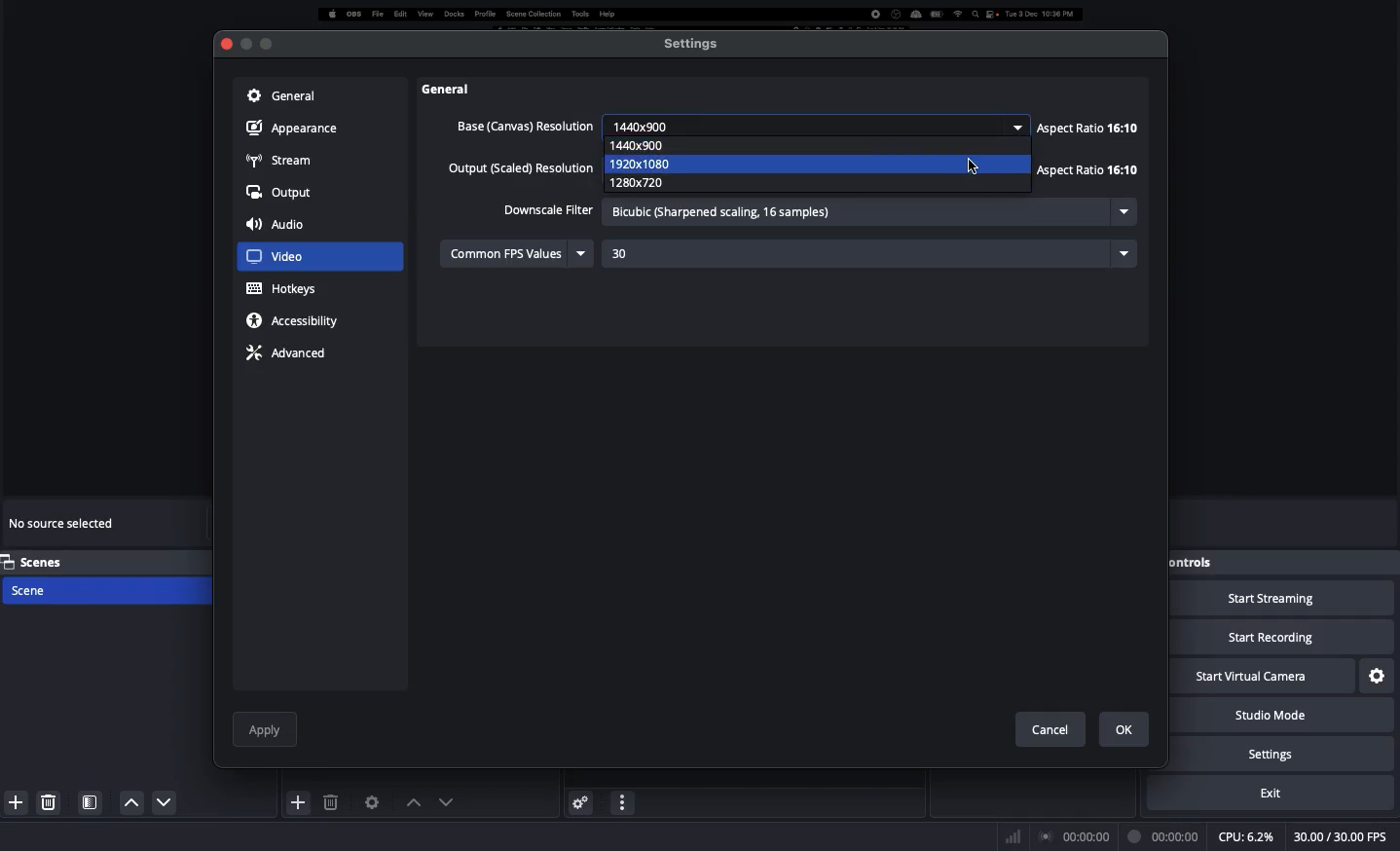 The width and height of the screenshot is (1400, 851). What do you see at coordinates (1283, 639) in the screenshot?
I see `Start recording` at bounding box center [1283, 639].